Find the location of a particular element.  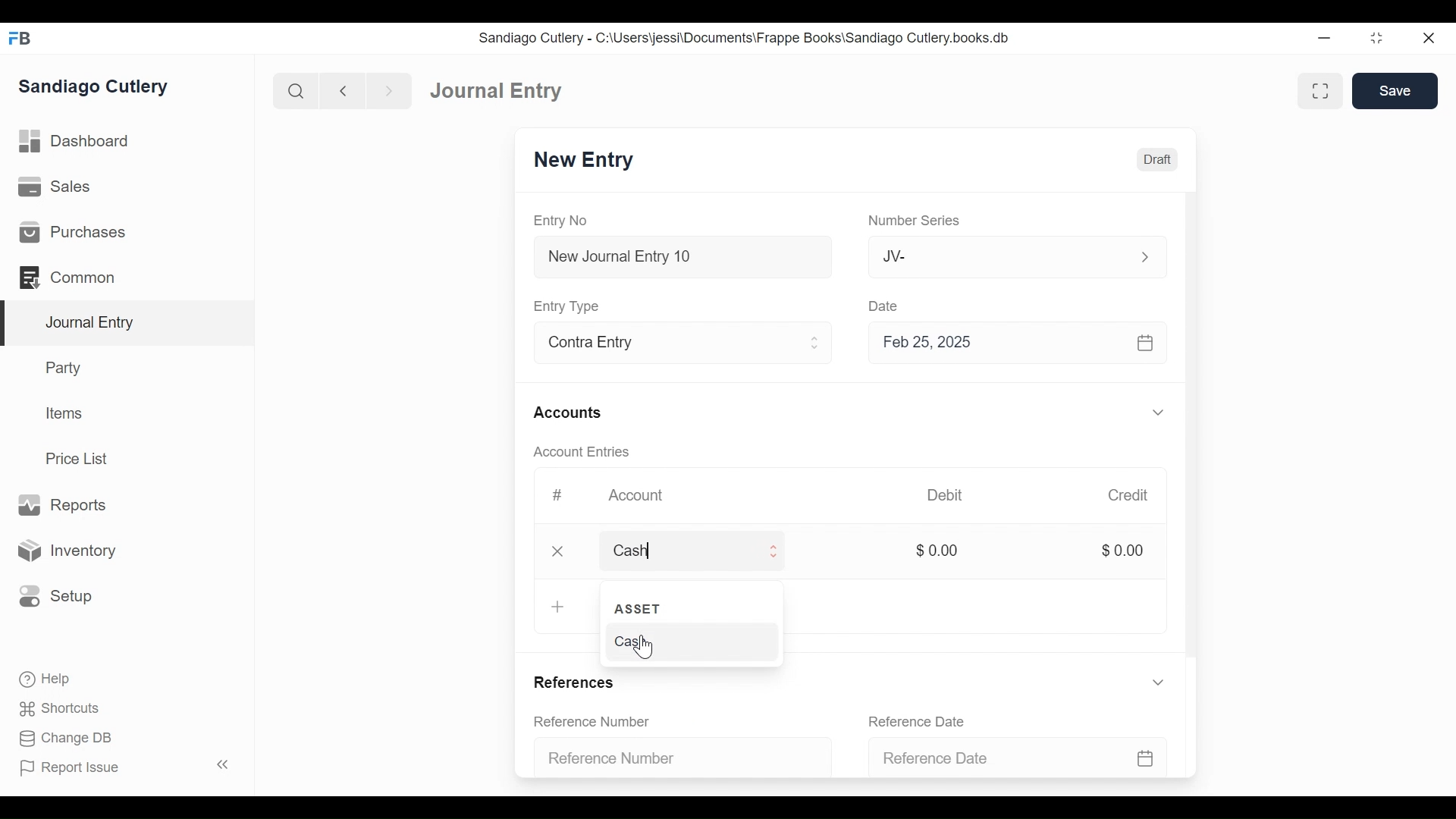

Account is located at coordinates (638, 497).